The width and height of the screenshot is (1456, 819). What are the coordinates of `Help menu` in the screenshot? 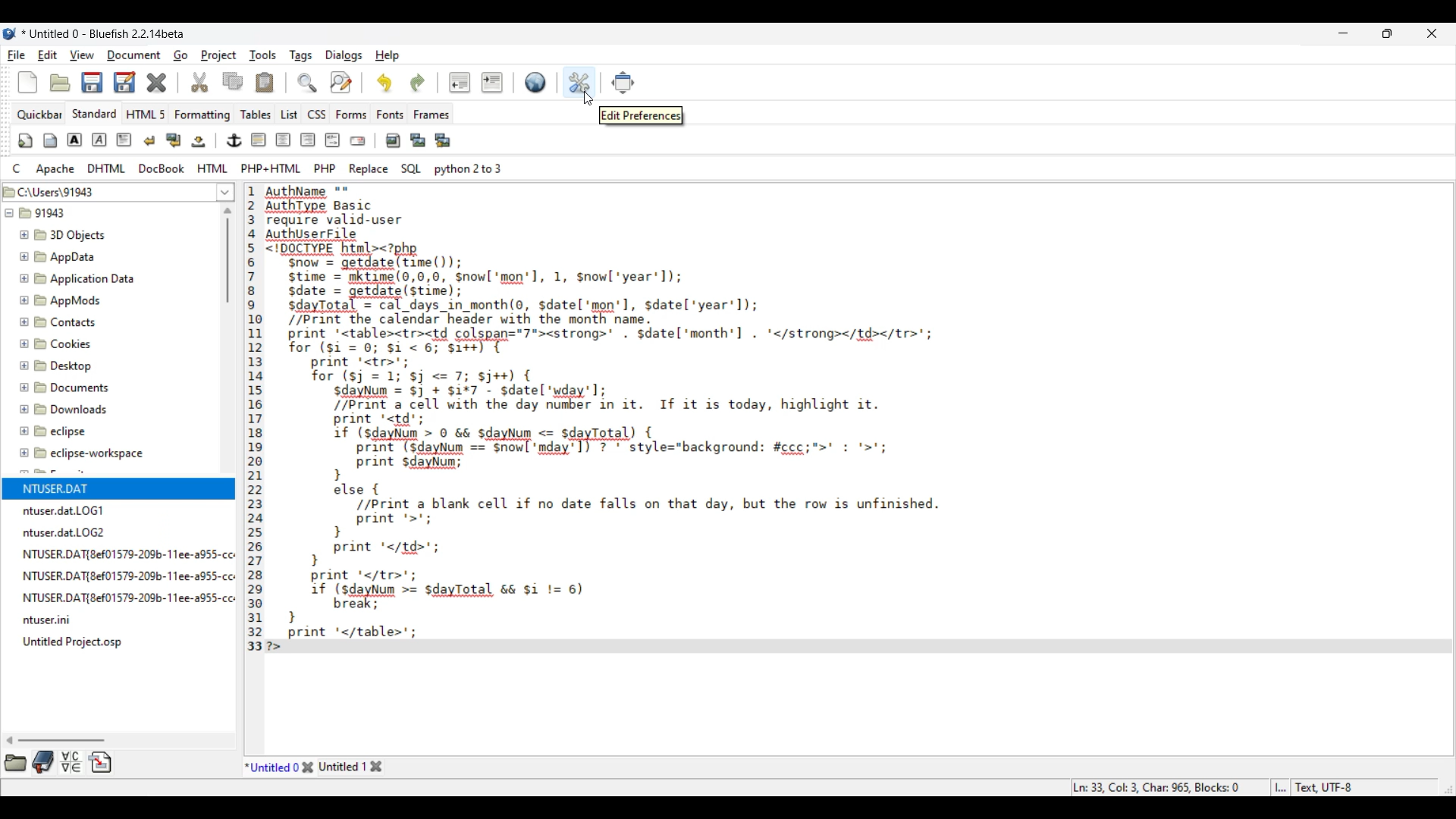 It's located at (388, 55).